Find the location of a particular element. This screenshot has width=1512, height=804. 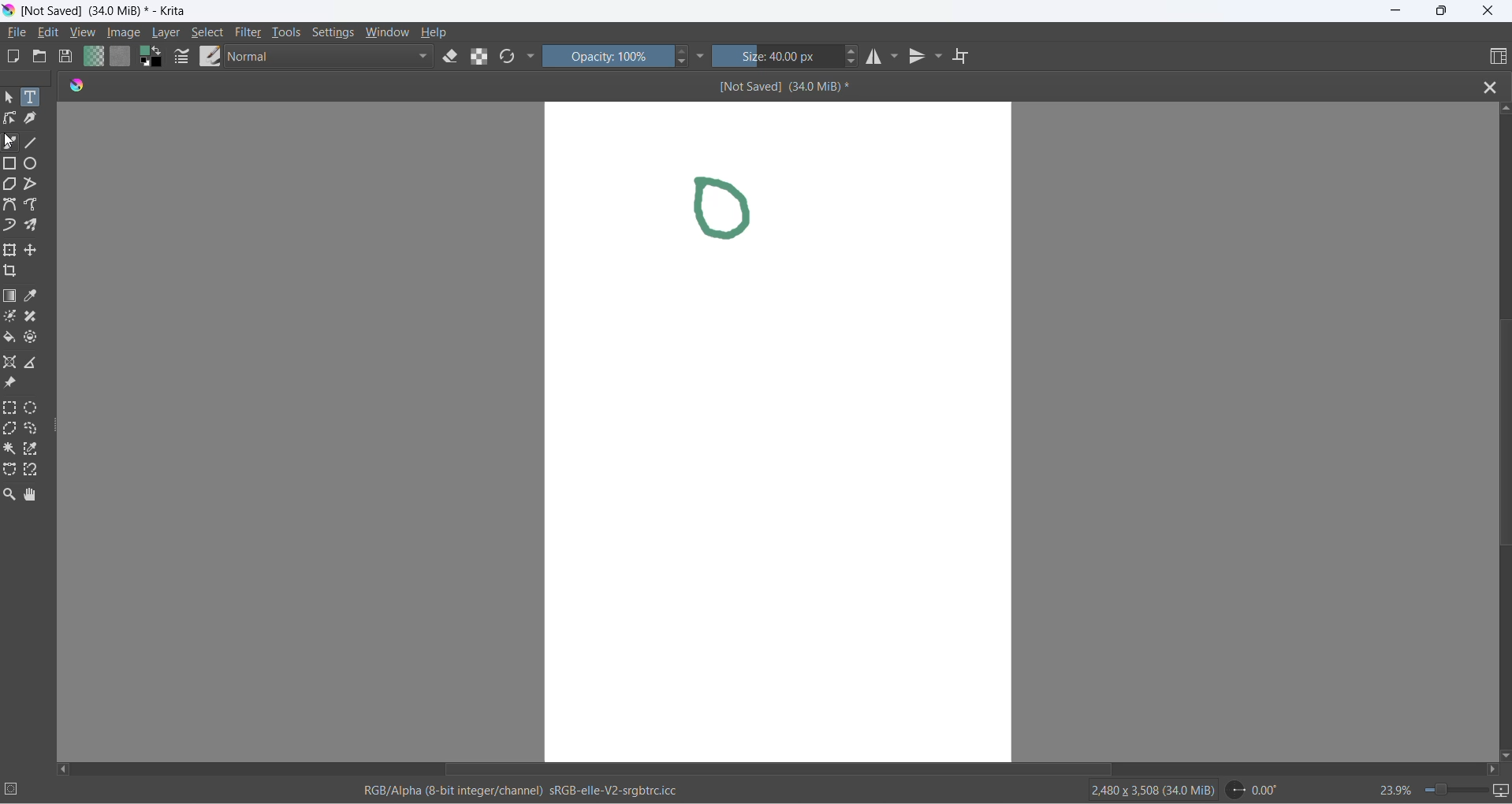

line tool is located at coordinates (40, 143).